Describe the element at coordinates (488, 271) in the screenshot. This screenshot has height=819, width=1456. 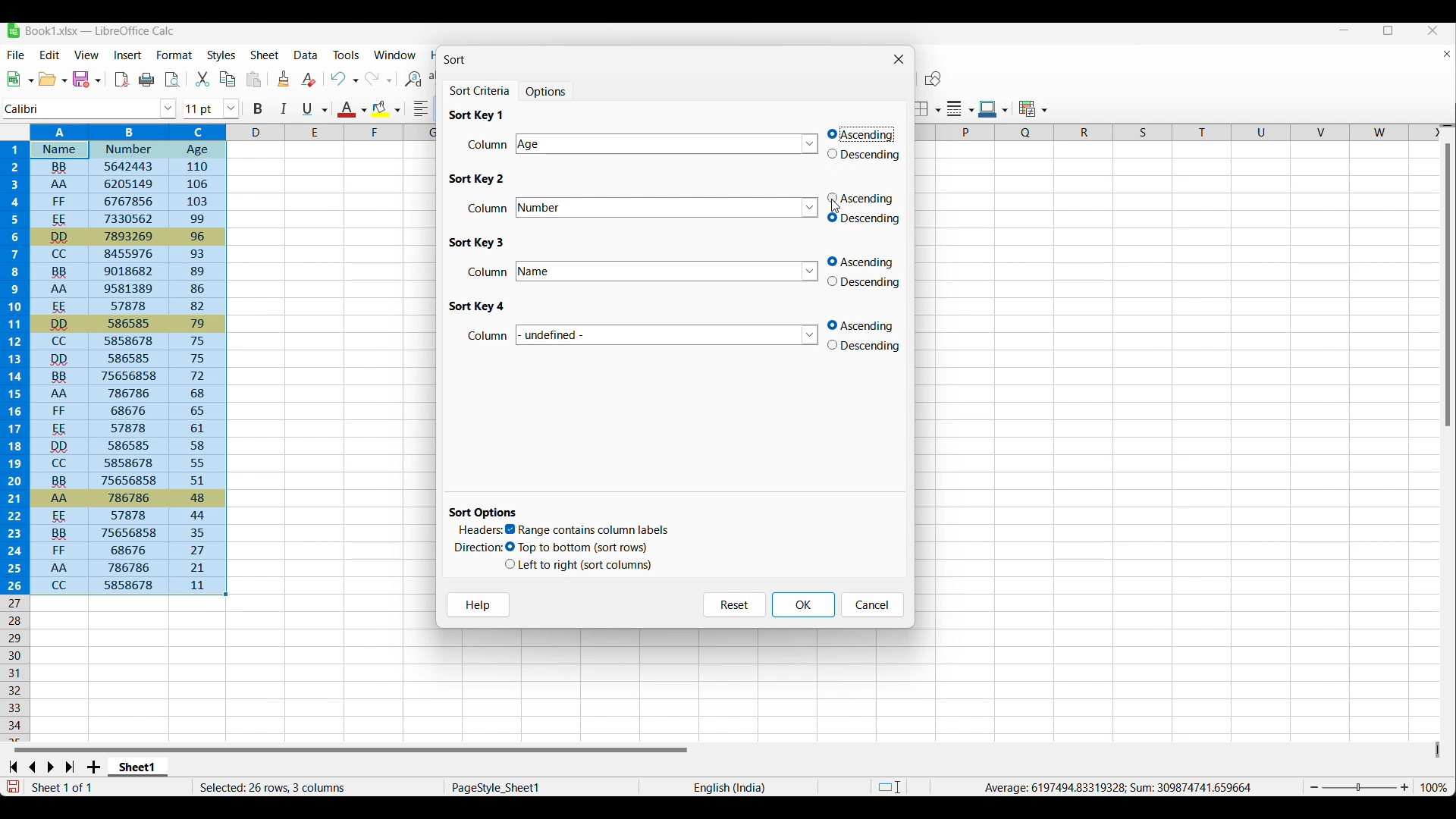
I see `Indicates sort by column` at that location.